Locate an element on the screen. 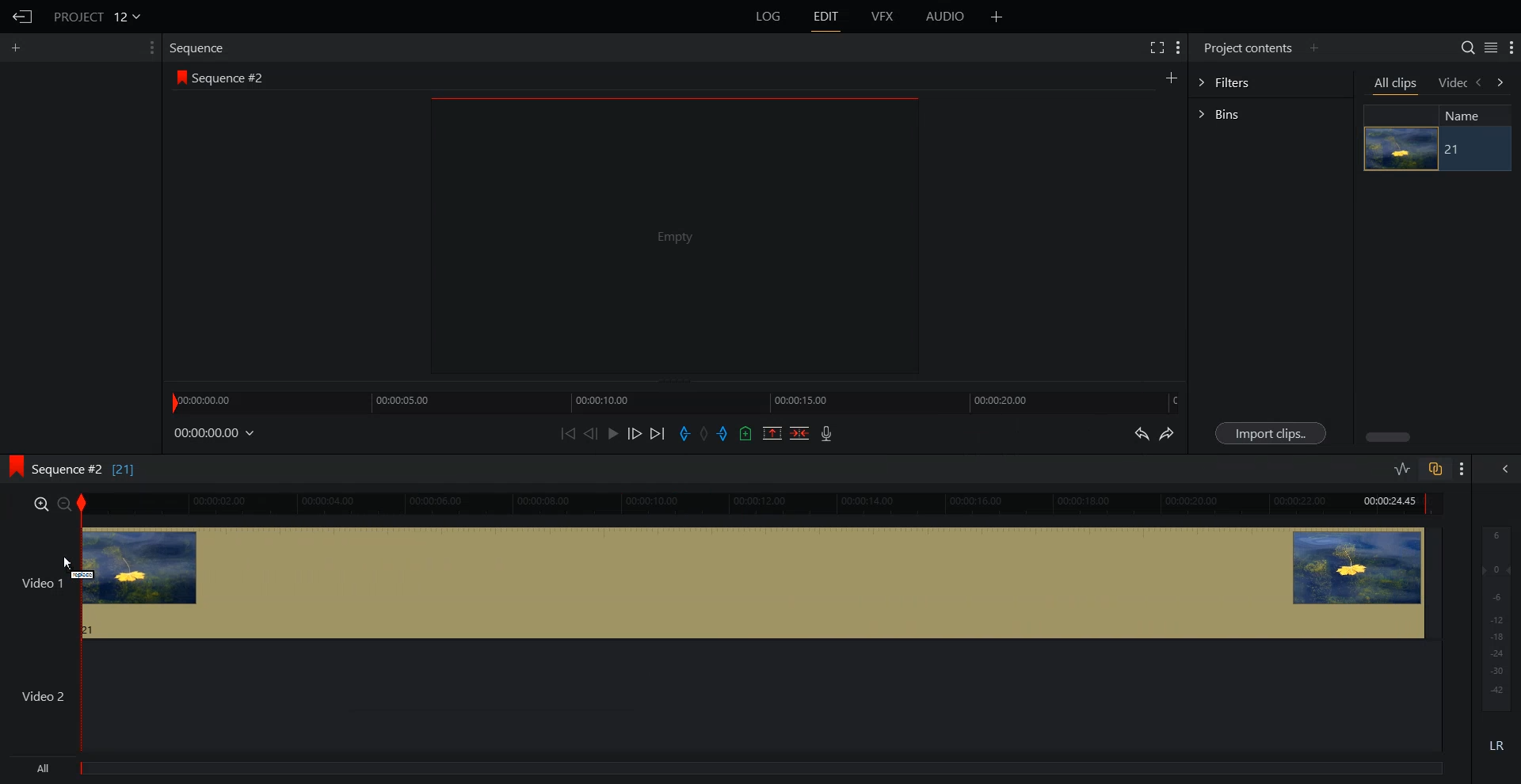  Zoom In and Out is located at coordinates (52, 504).